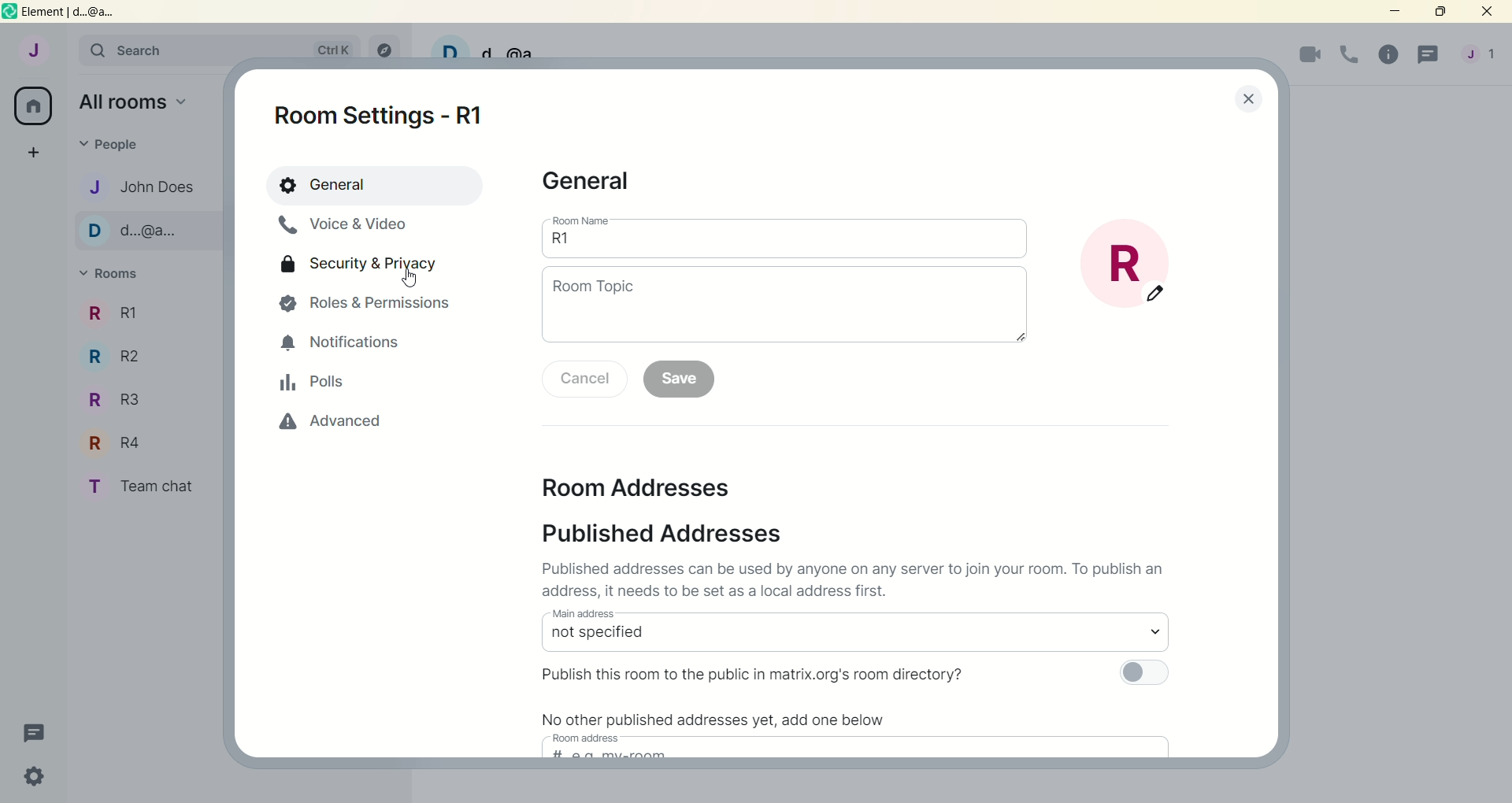 The image size is (1512, 803). Describe the element at coordinates (1425, 56) in the screenshot. I see `threads` at that location.